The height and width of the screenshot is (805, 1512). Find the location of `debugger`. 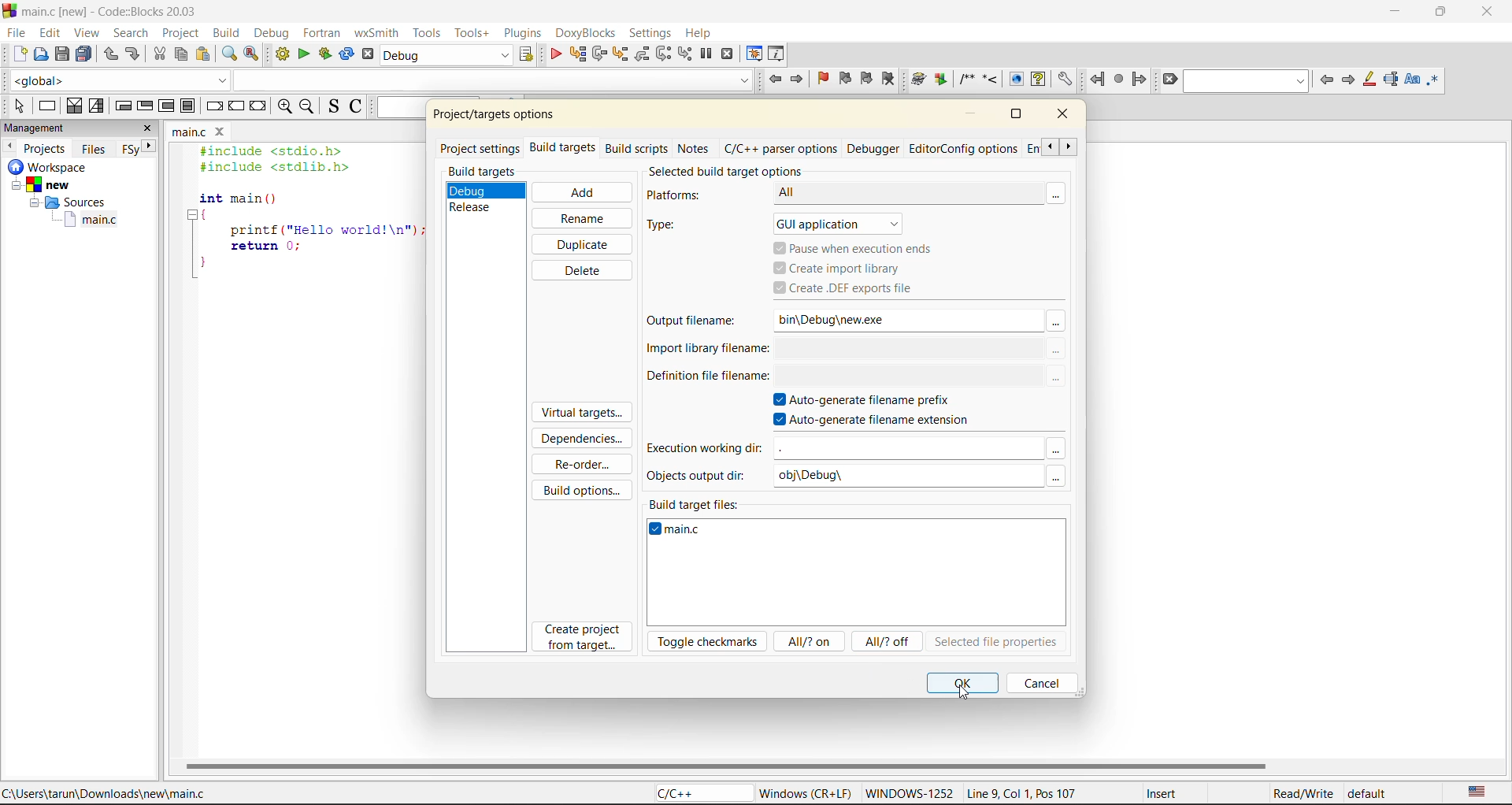

debugger is located at coordinates (876, 150).